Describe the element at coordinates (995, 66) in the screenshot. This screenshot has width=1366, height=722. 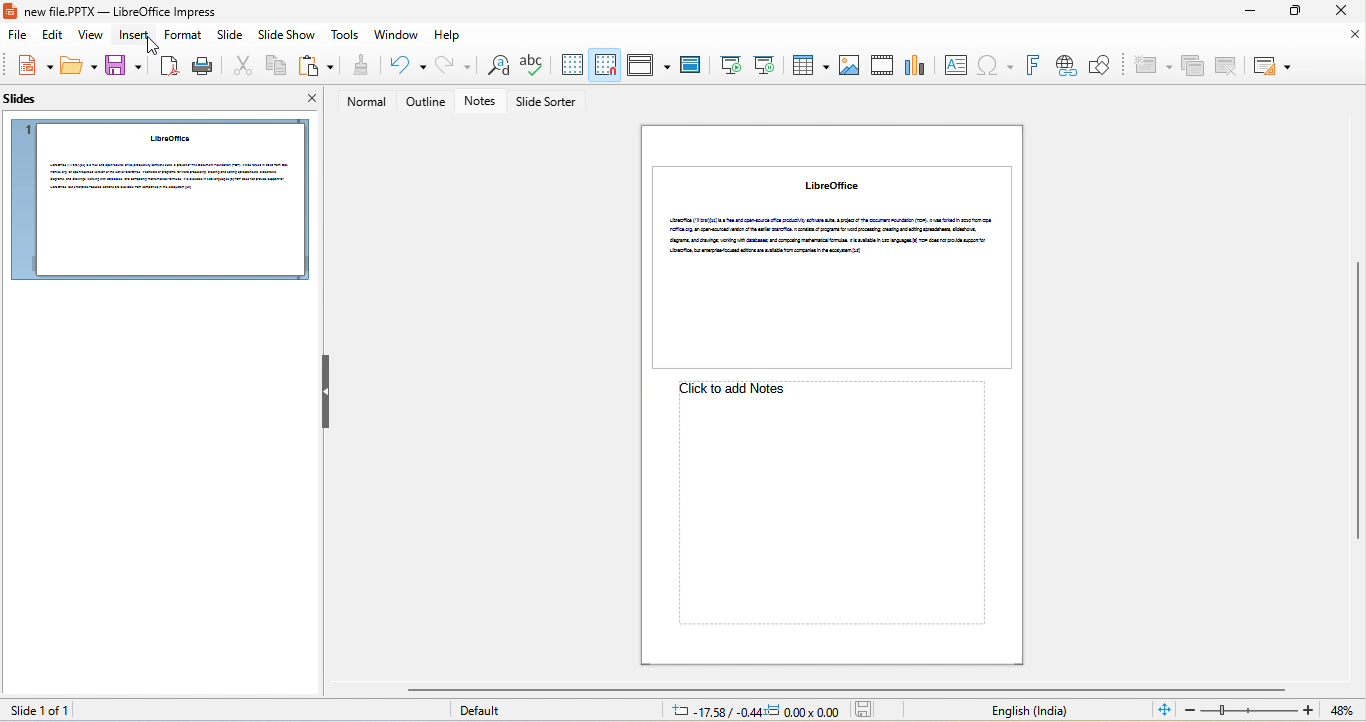
I see `special character` at that location.